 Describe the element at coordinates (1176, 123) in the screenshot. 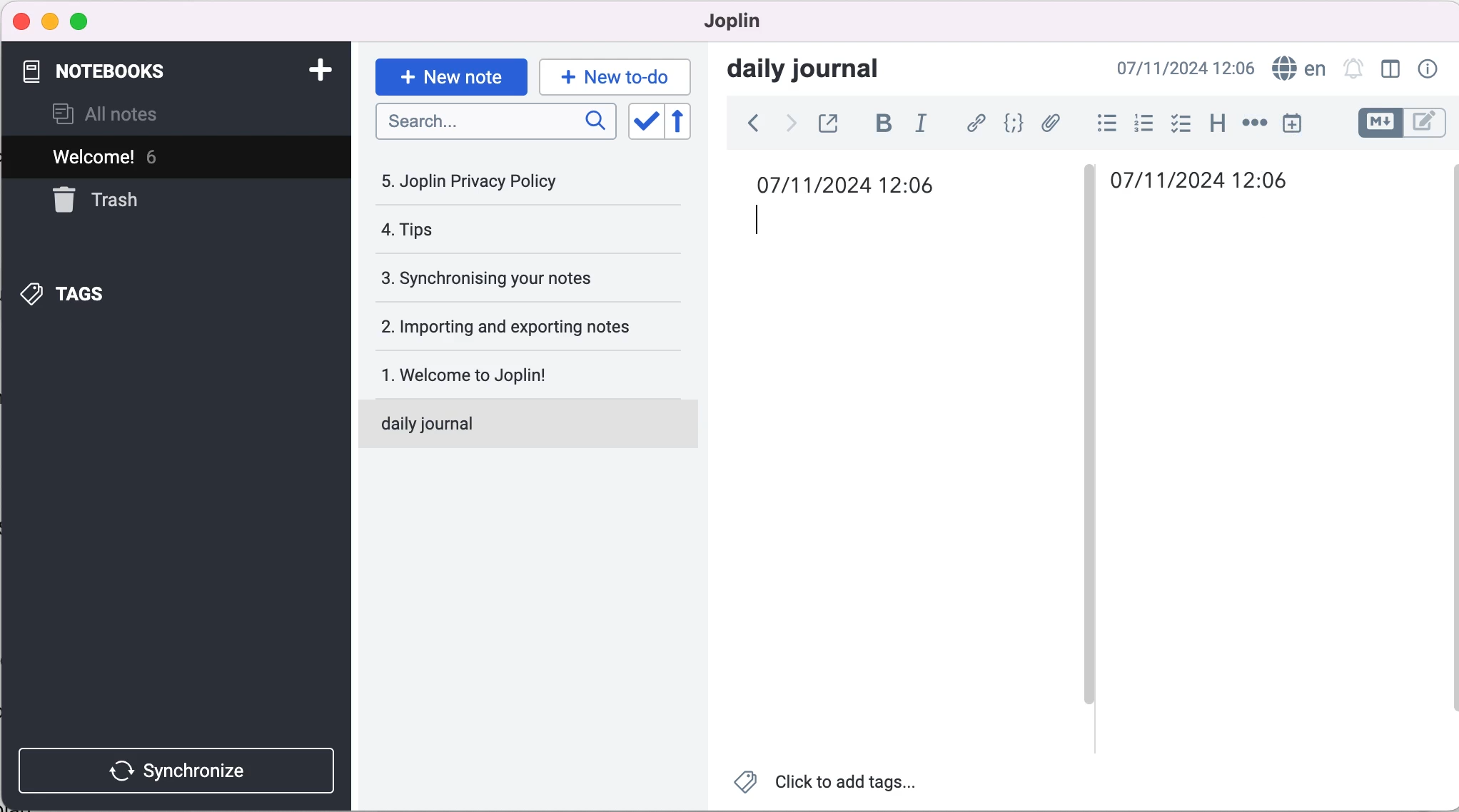

I see `check box` at that location.